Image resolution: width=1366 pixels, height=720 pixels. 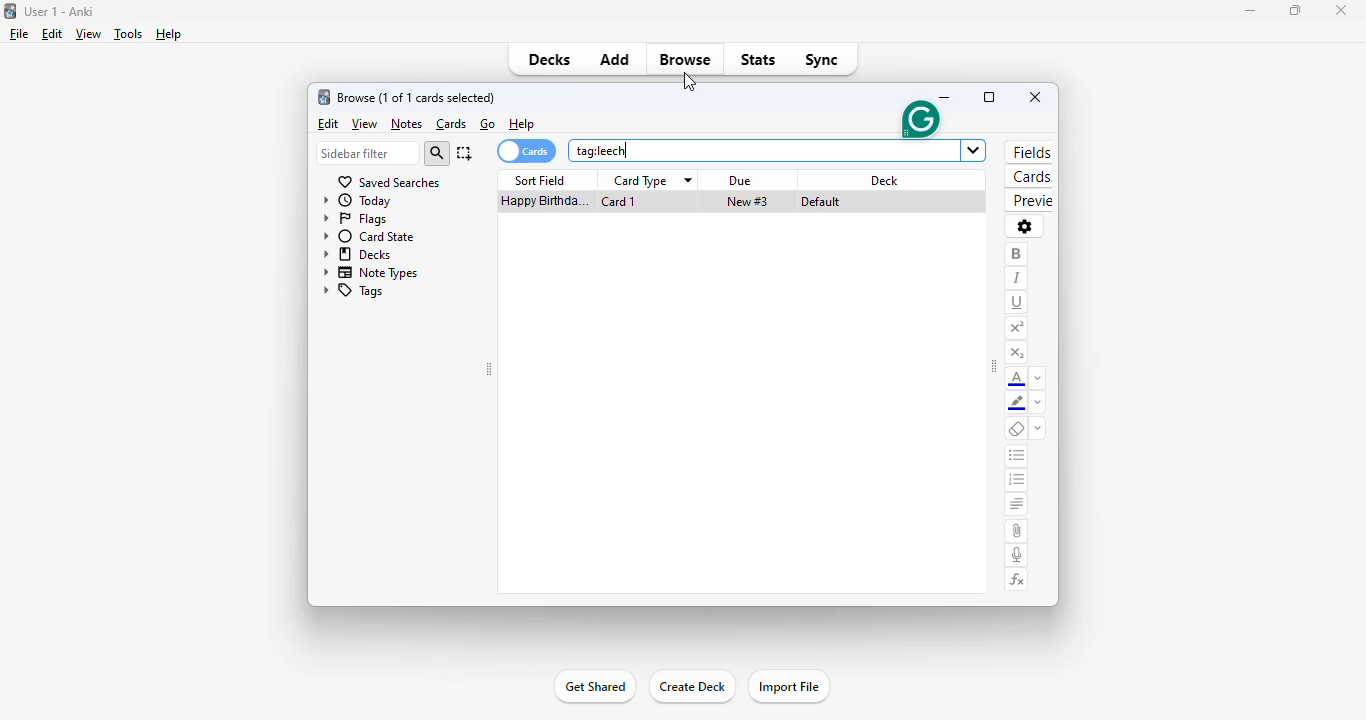 What do you see at coordinates (540, 179) in the screenshot?
I see `sort field` at bounding box center [540, 179].